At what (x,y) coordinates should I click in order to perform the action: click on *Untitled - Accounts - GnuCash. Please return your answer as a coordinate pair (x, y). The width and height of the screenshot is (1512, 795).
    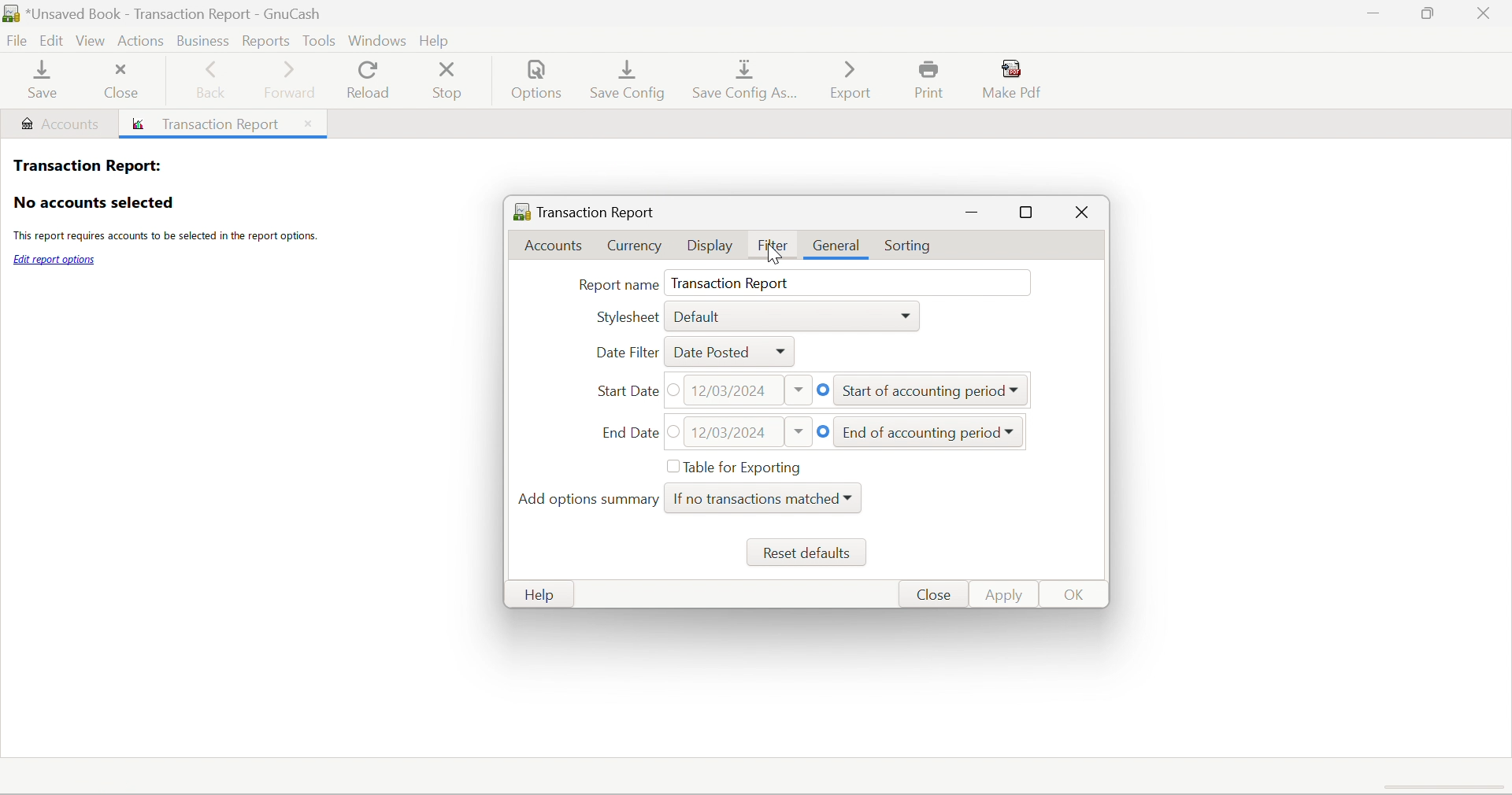
    Looking at the image, I should click on (178, 13).